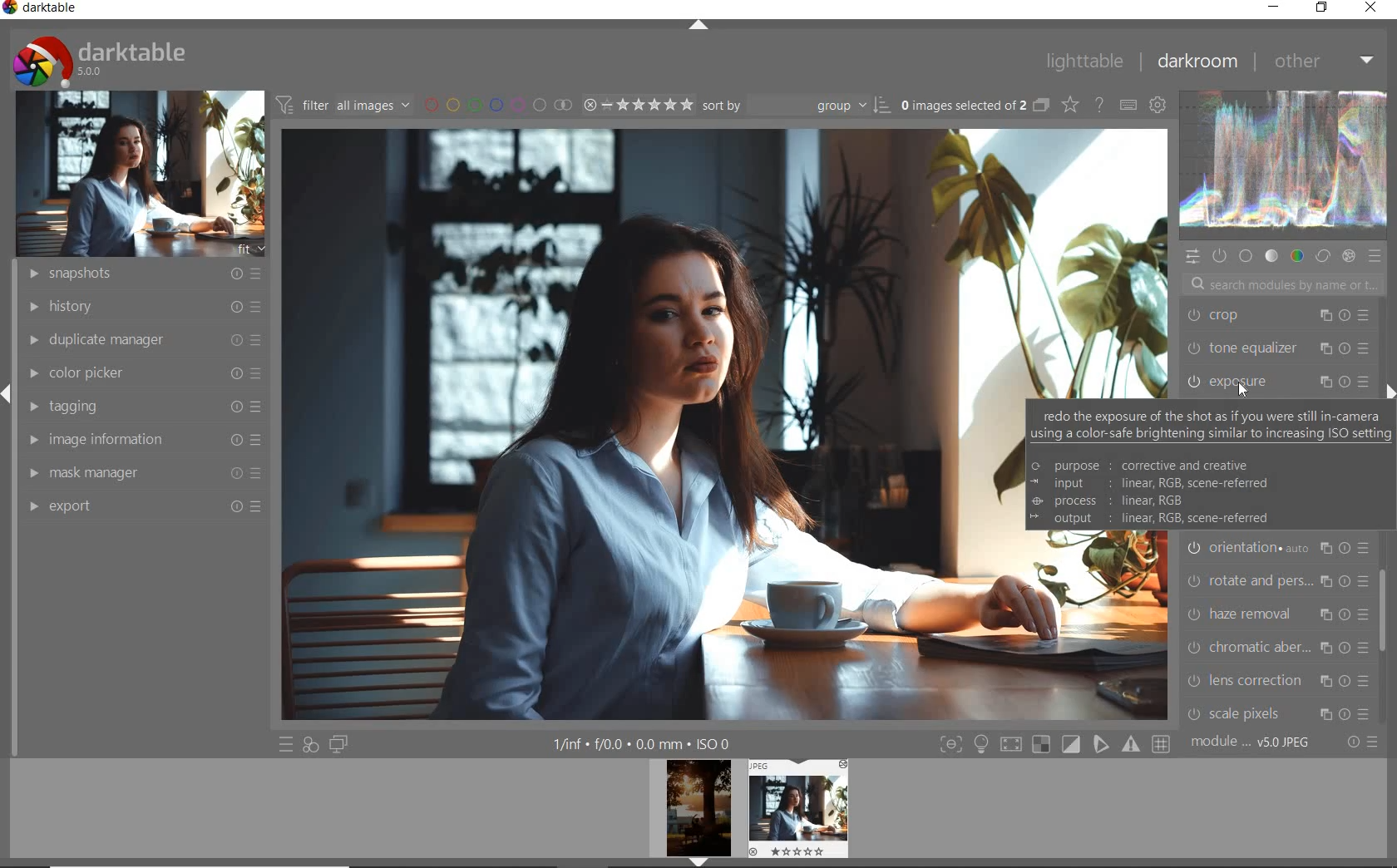  Describe the element at coordinates (1277, 317) in the screenshot. I see `CROP` at that location.